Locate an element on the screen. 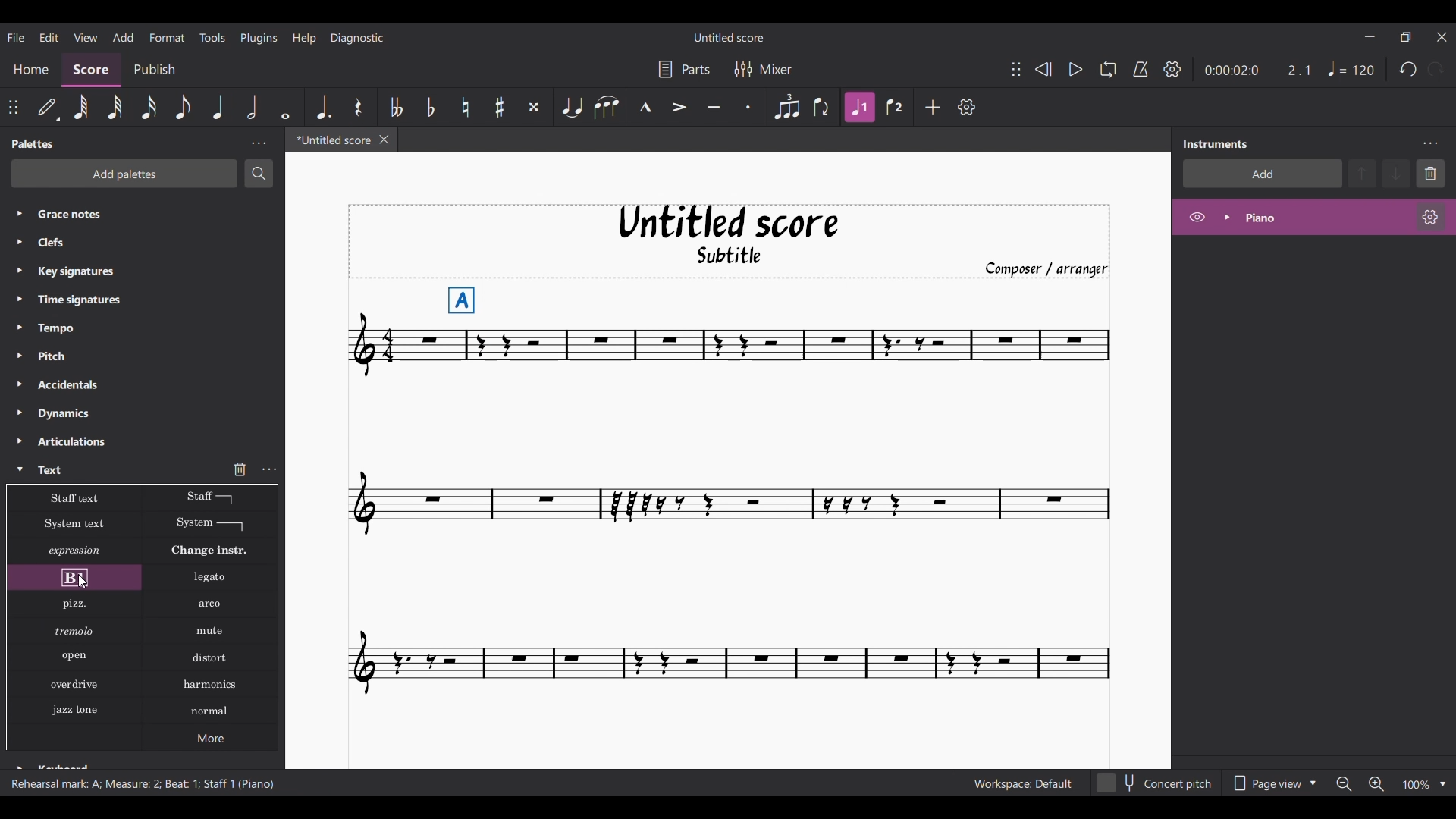 The width and height of the screenshot is (1456, 819). Marcato is located at coordinates (645, 106).